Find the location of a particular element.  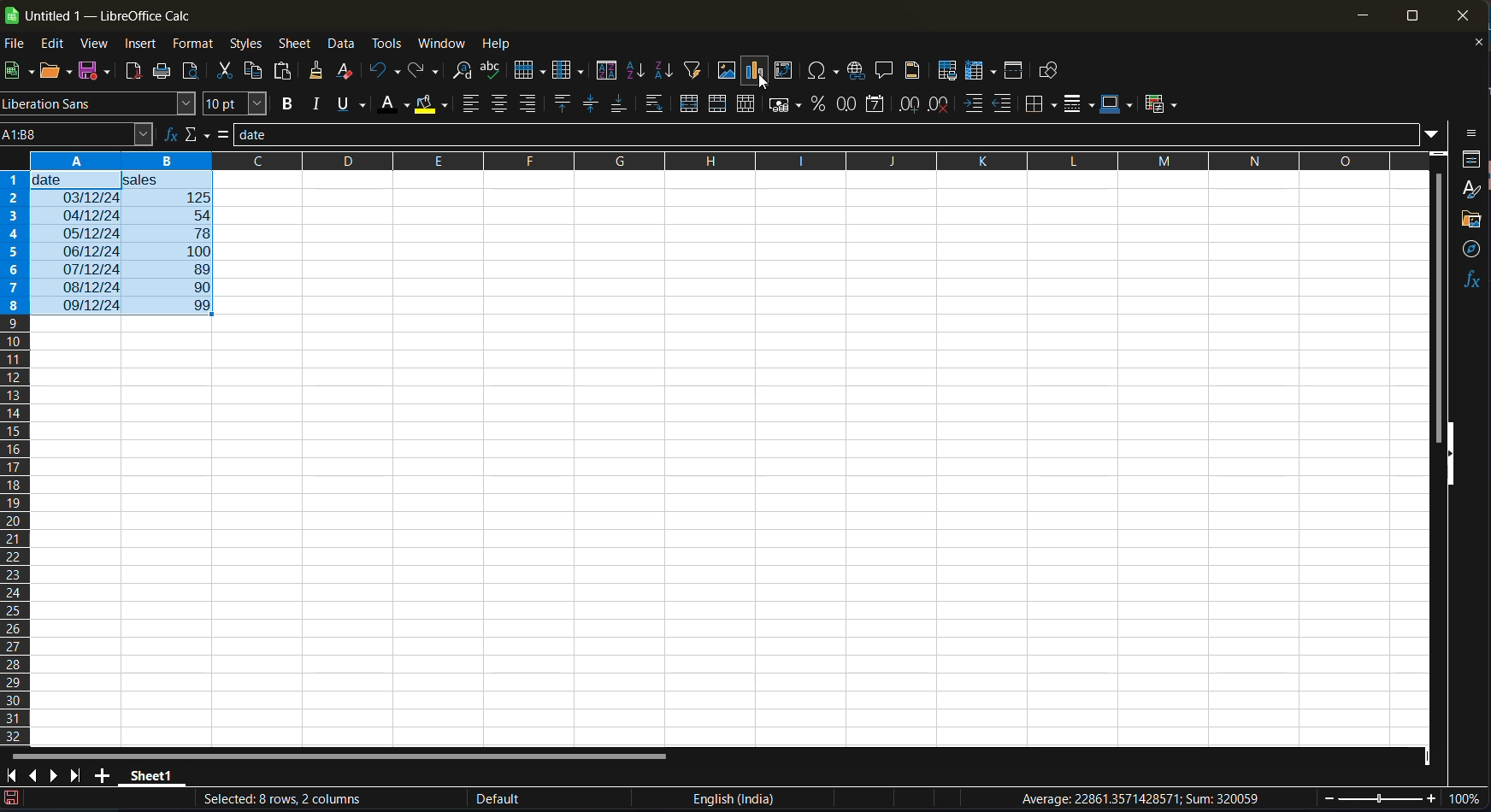

function wizard is located at coordinates (170, 137).